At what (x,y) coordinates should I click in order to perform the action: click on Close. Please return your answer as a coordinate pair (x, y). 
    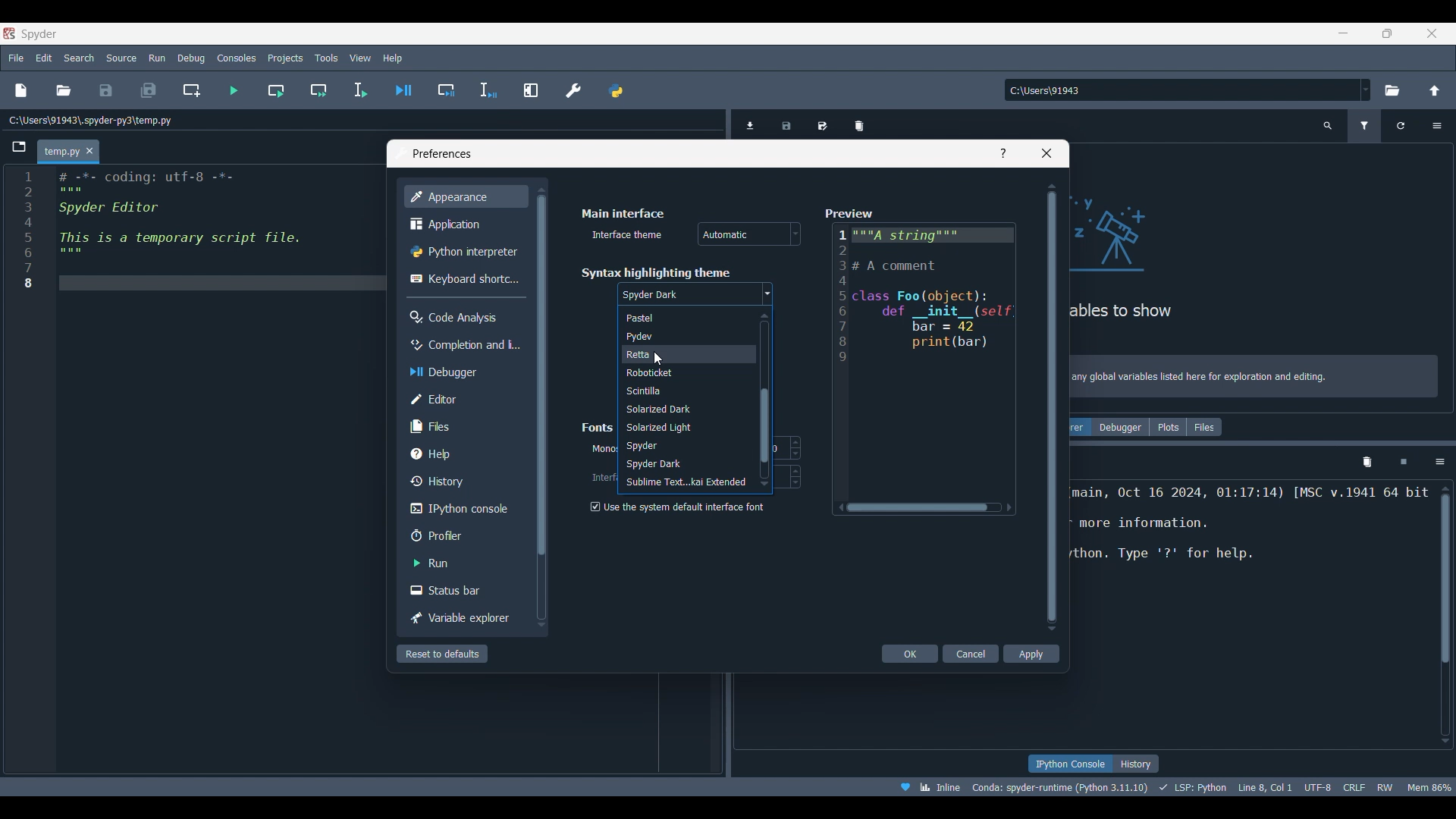
    Looking at the image, I should click on (1046, 153).